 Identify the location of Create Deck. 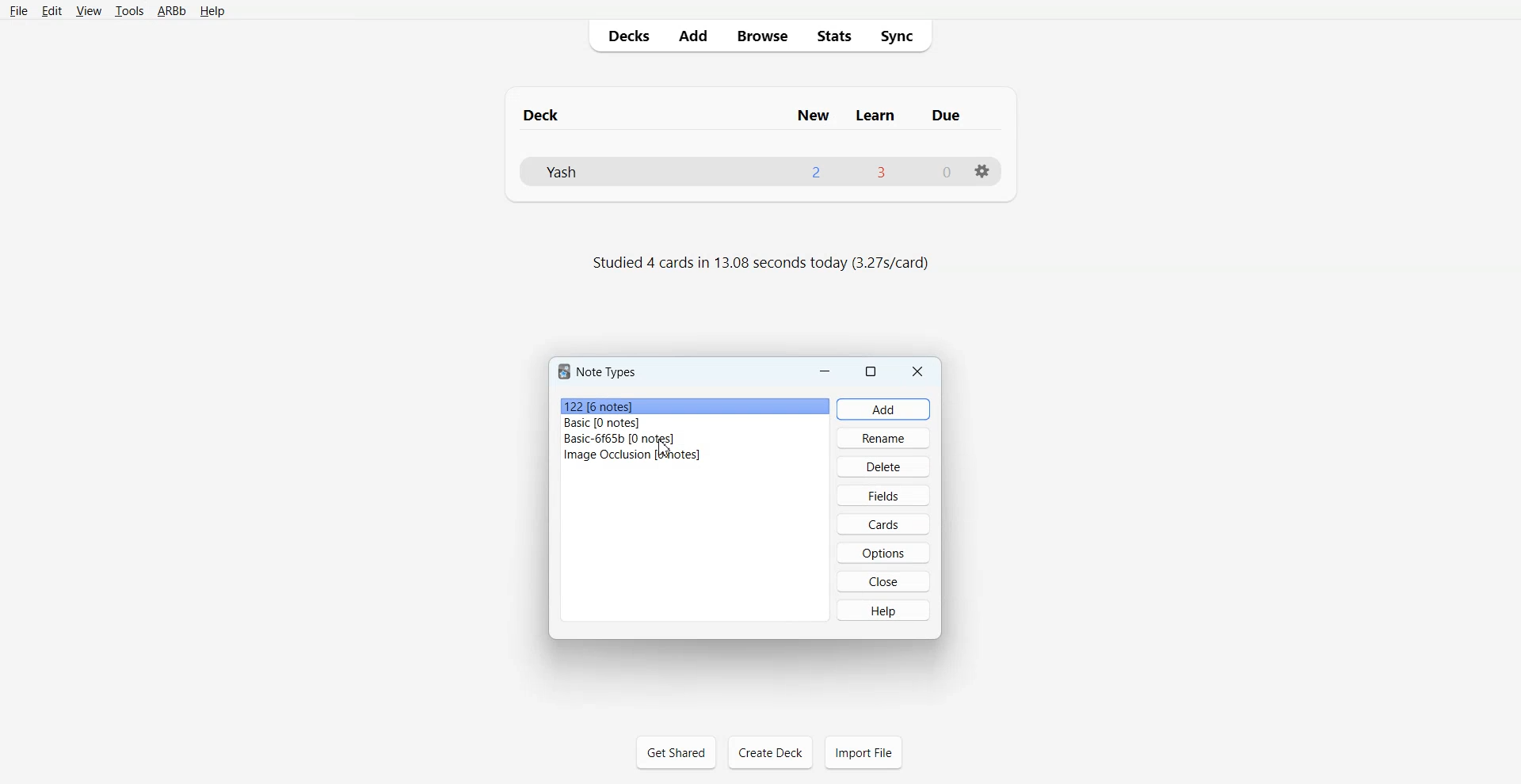
(770, 752).